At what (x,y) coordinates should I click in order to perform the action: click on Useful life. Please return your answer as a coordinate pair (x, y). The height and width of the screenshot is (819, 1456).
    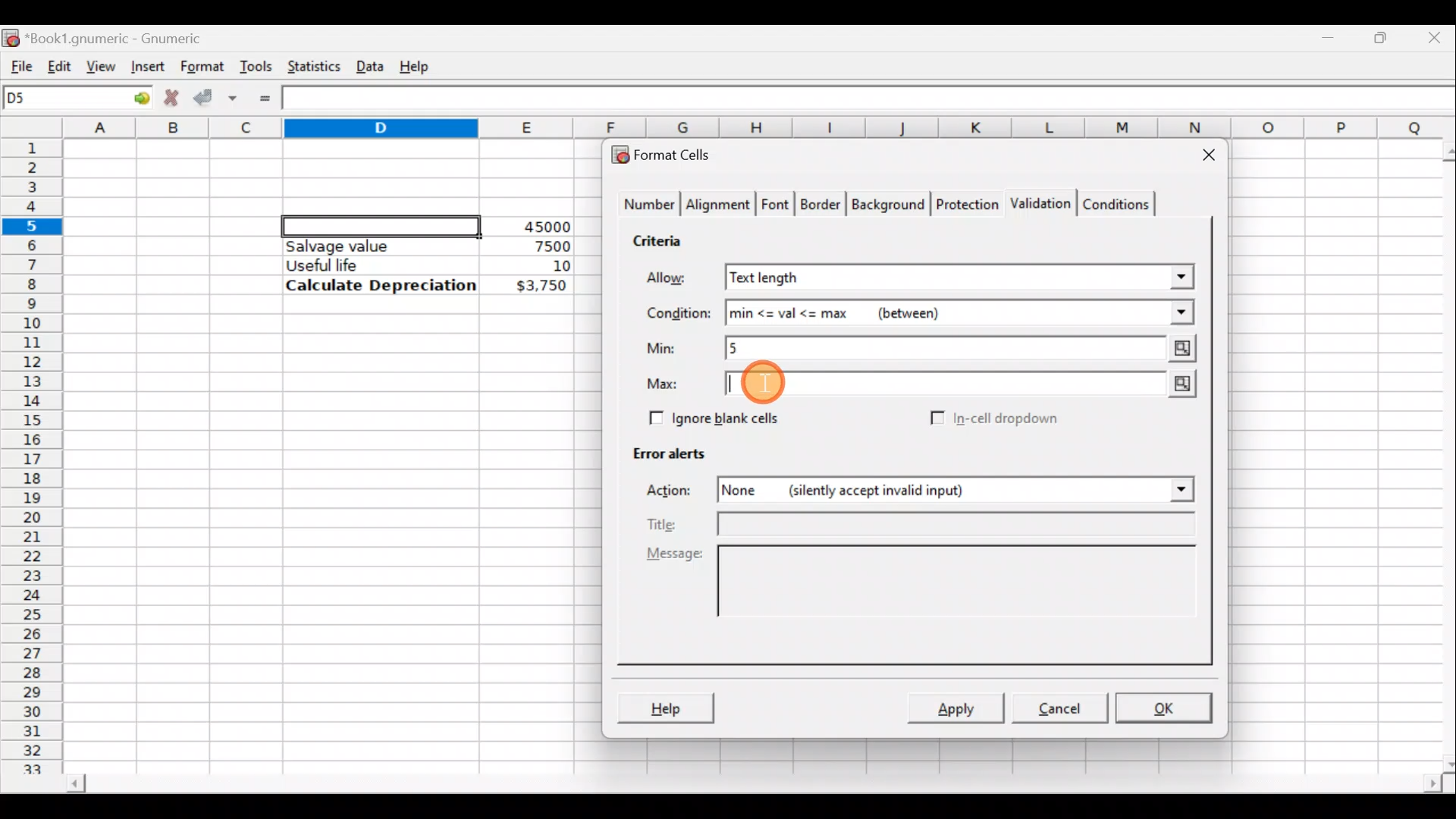
    Looking at the image, I should click on (372, 265).